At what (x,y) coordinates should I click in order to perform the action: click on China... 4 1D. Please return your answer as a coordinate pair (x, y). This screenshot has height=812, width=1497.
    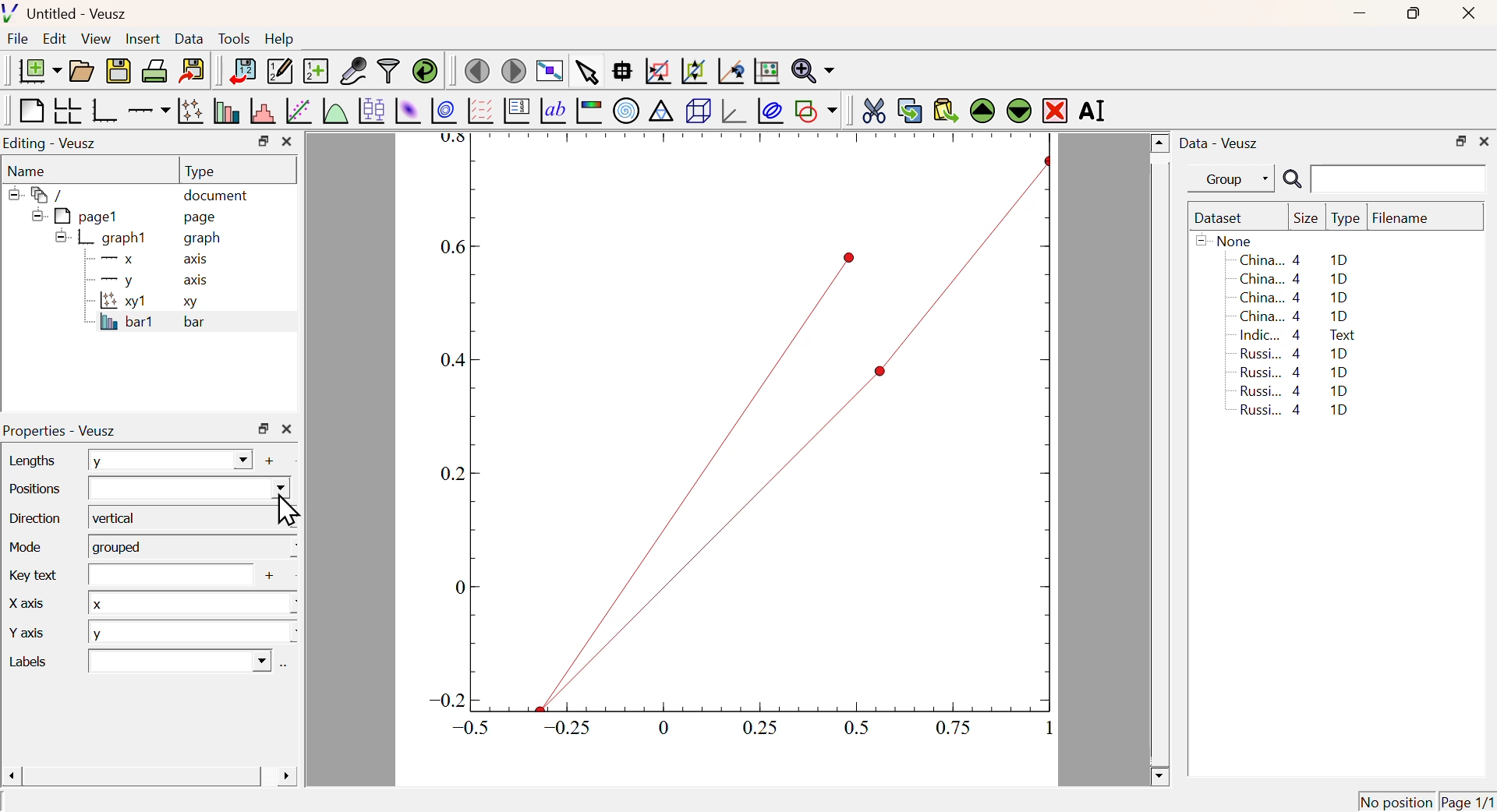
    Looking at the image, I should click on (1294, 316).